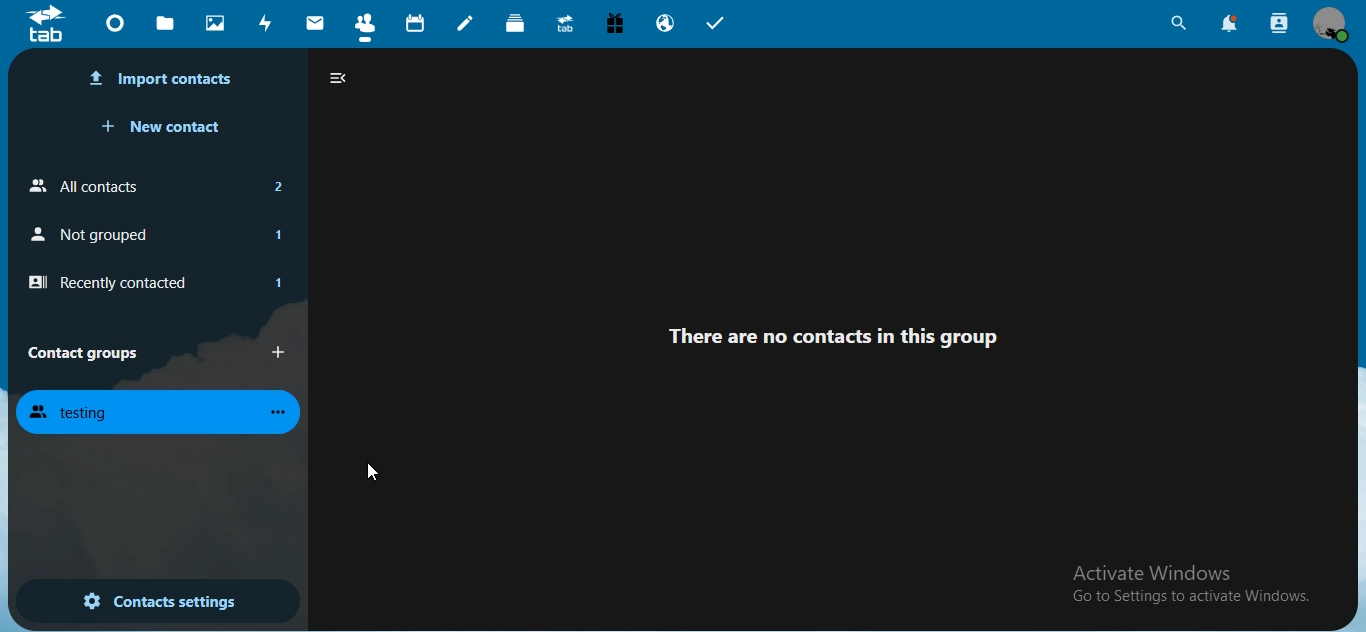 Image resolution: width=1366 pixels, height=632 pixels. Describe the element at coordinates (517, 23) in the screenshot. I see `deck` at that location.